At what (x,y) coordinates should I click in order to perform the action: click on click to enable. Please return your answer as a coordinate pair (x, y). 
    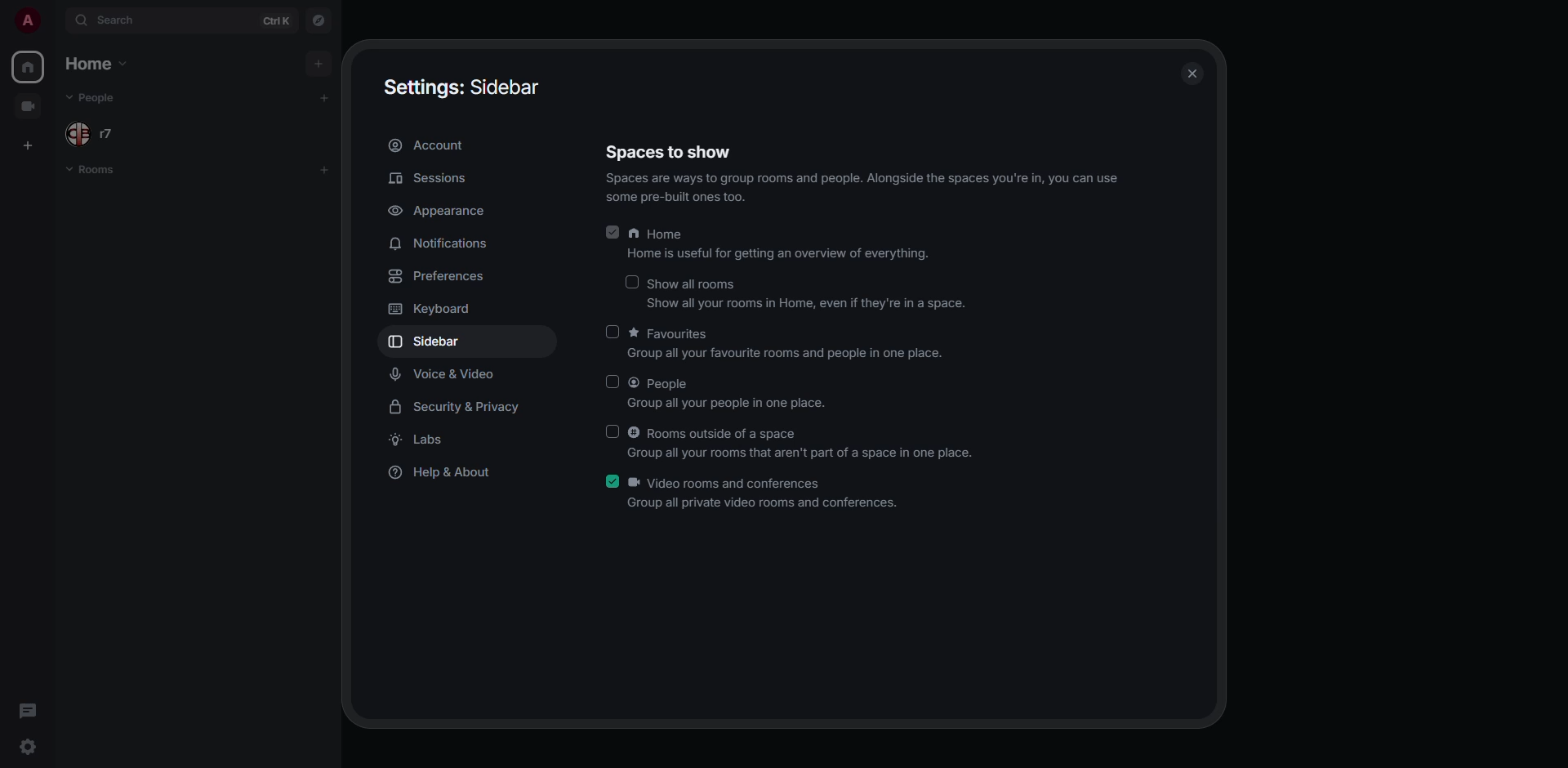
    Looking at the image, I should click on (630, 281).